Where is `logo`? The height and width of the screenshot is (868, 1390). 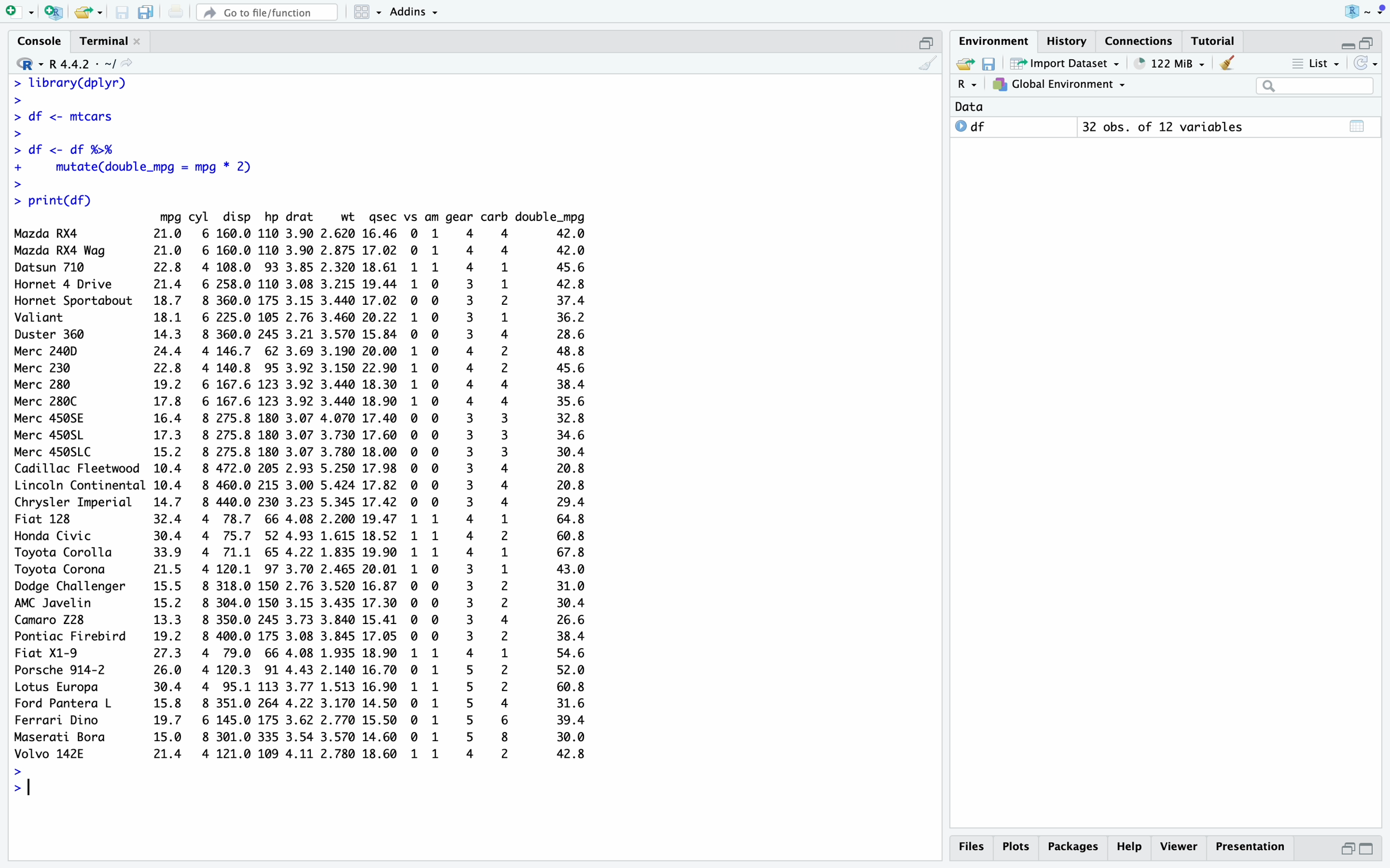
logo is located at coordinates (1365, 12).